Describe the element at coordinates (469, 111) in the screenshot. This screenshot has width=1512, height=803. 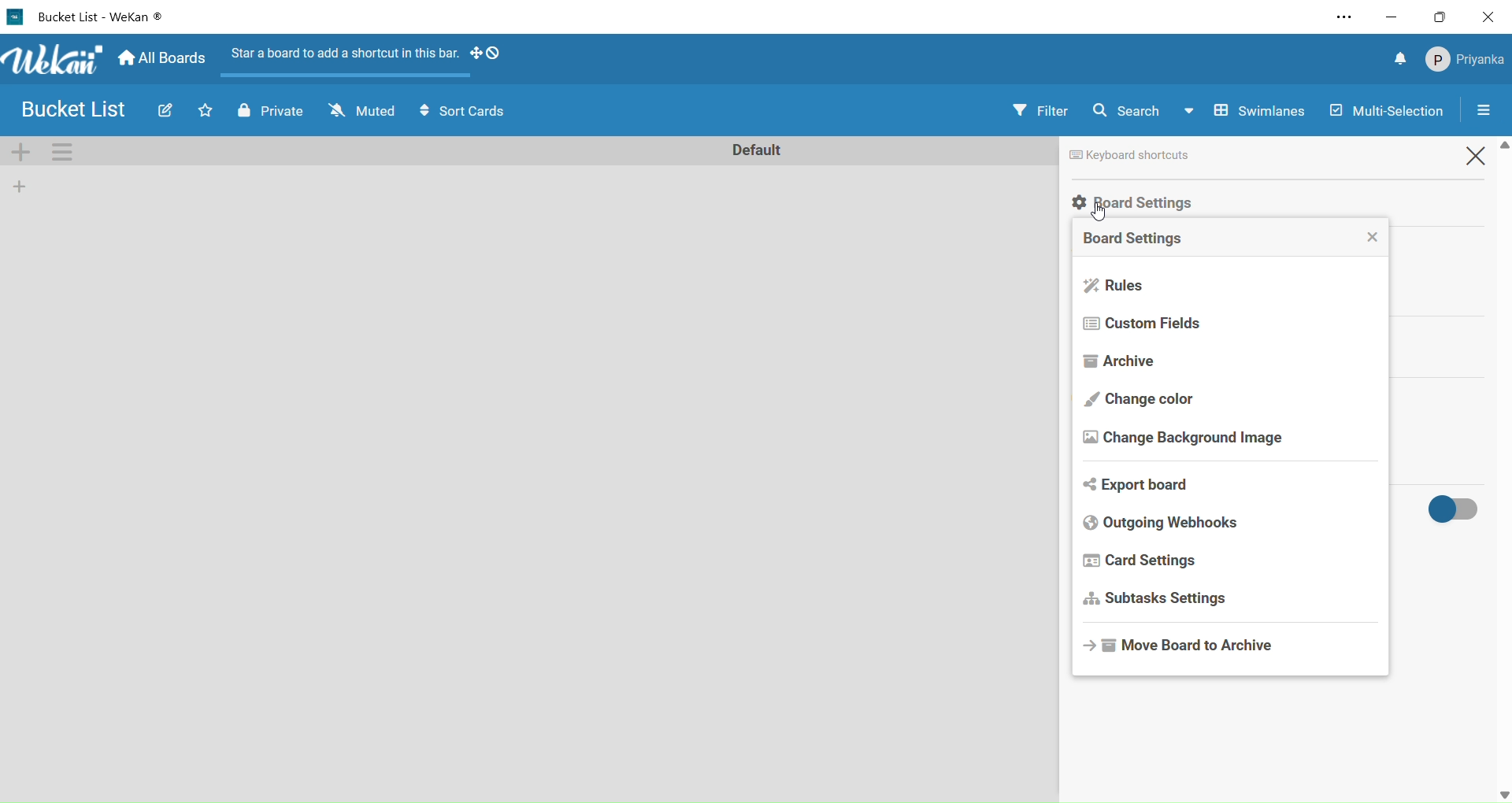
I see `sort cards` at that location.